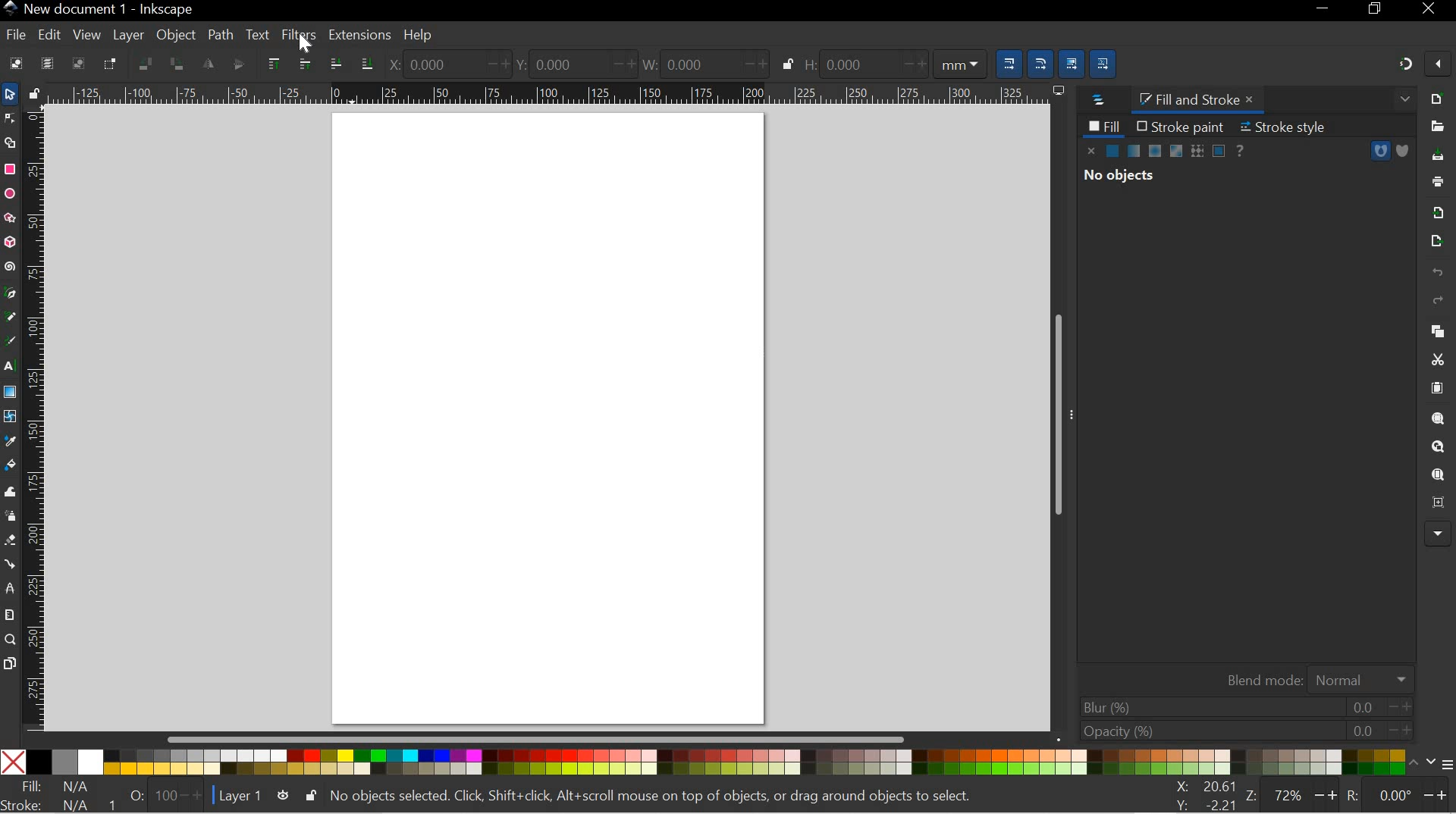 This screenshot has width=1456, height=814. I want to click on SHAPES AND TOOLS, so click(9, 393).